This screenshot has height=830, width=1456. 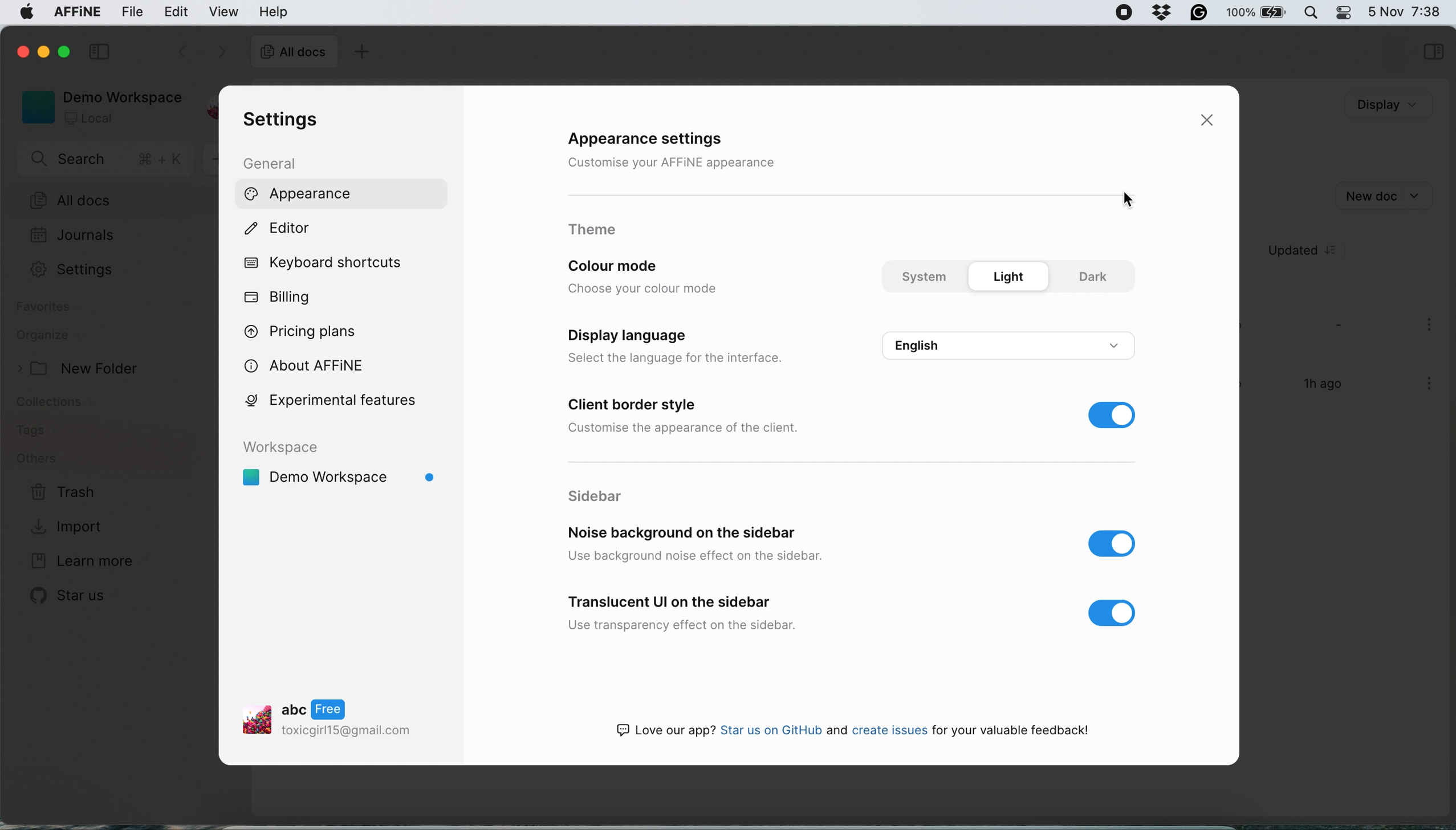 What do you see at coordinates (341, 478) in the screenshot?
I see `I Demo Workspace °` at bounding box center [341, 478].